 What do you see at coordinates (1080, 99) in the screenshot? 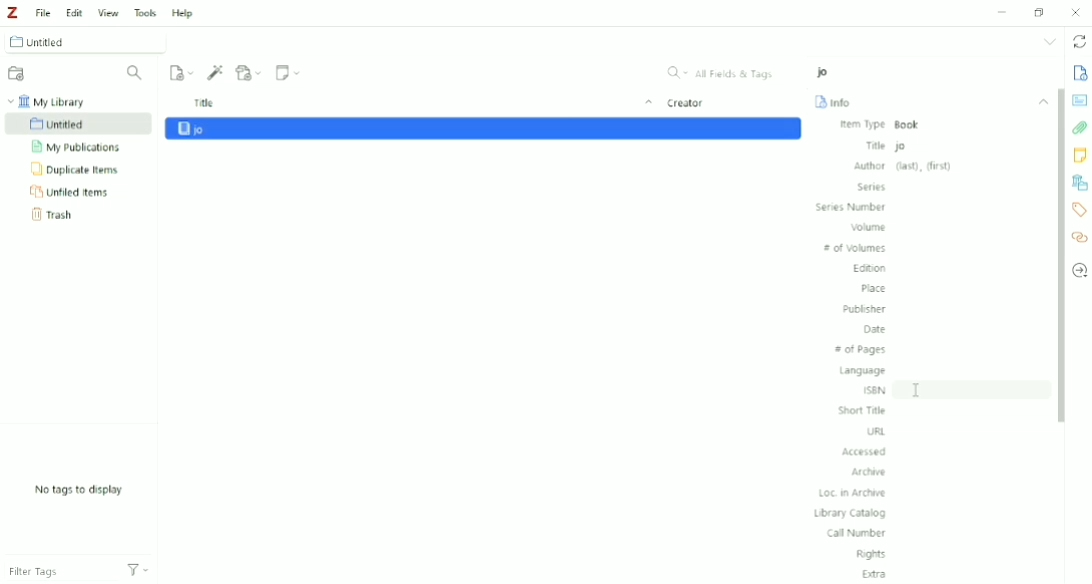
I see `Abstract` at bounding box center [1080, 99].